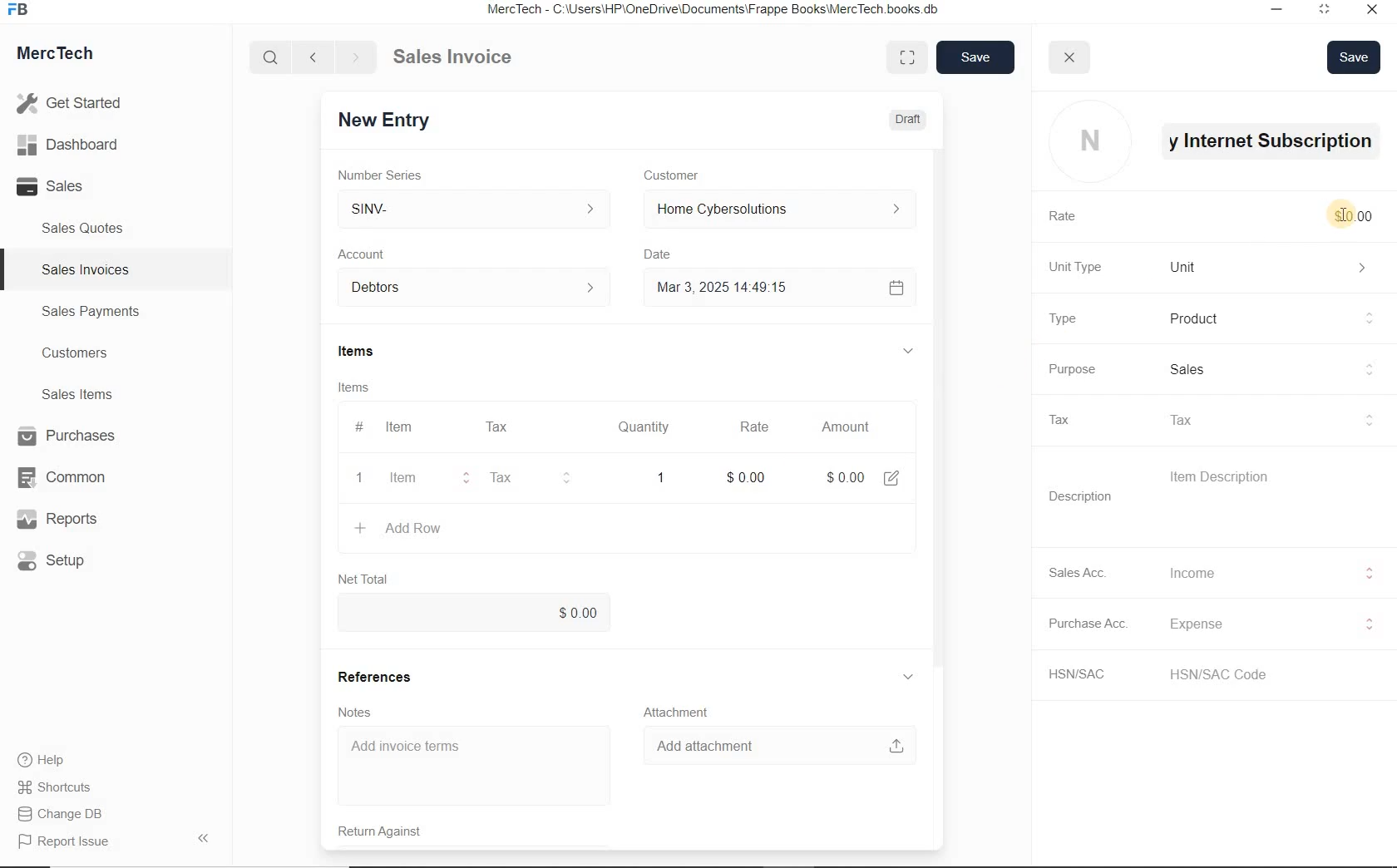 This screenshot has height=868, width=1397. Describe the element at coordinates (1370, 12) in the screenshot. I see `Close` at that location.